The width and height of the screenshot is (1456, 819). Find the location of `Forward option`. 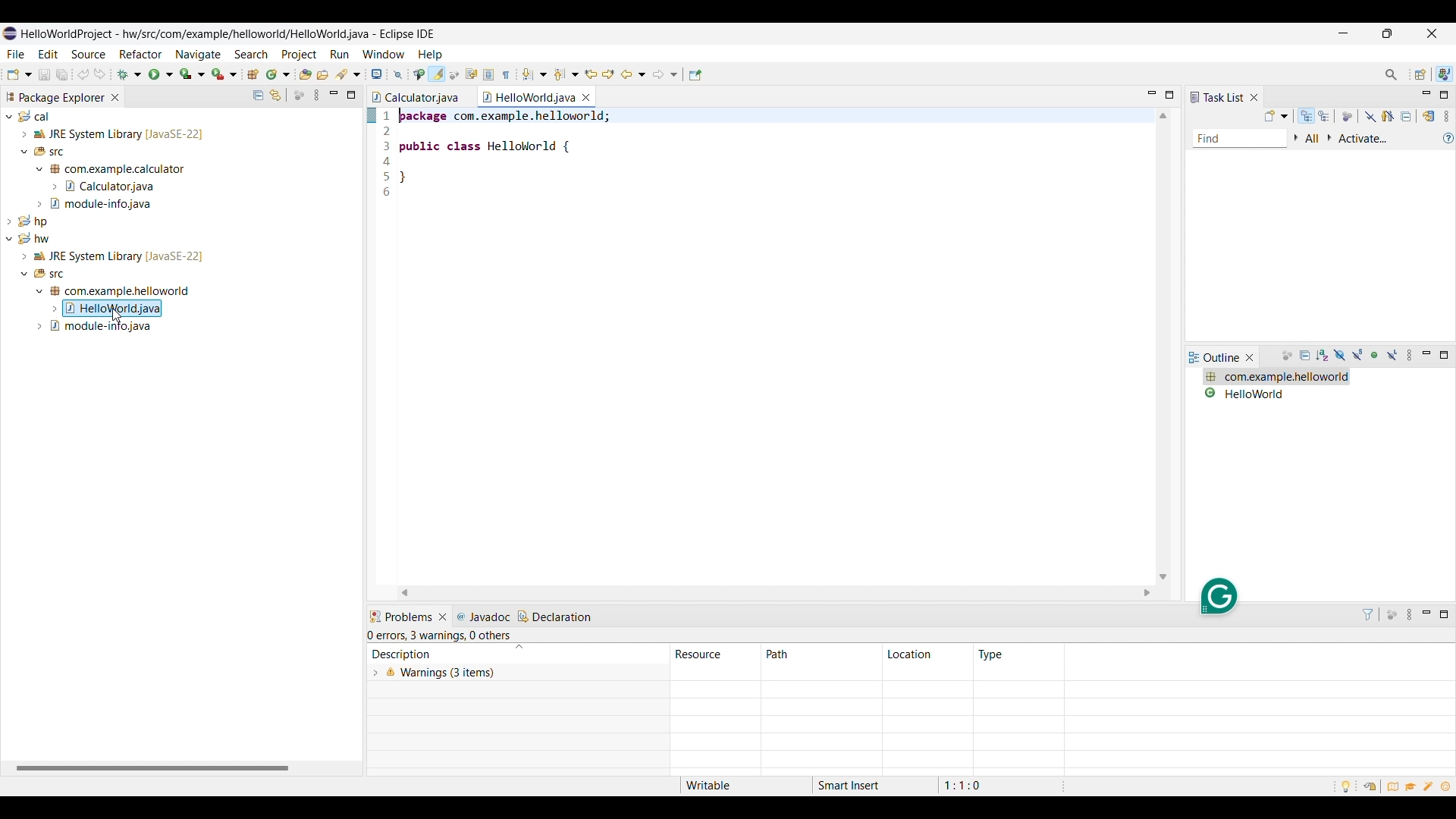

Forward option is located at coordinates (665, 74).